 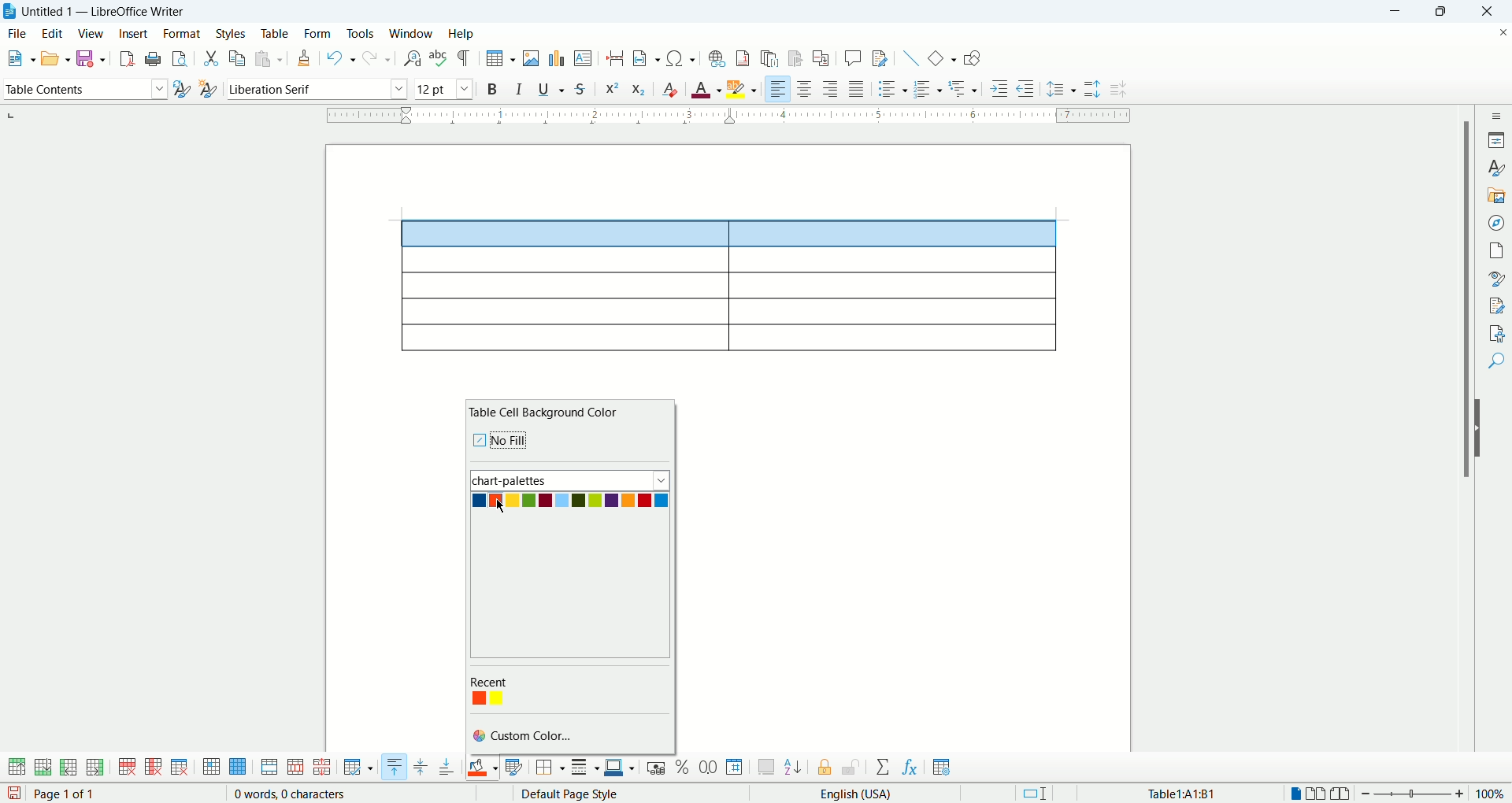 What do you see at coordinates (83, 87) in the screenshot?
I see `pragraph style` at bounding box center [83, 87].